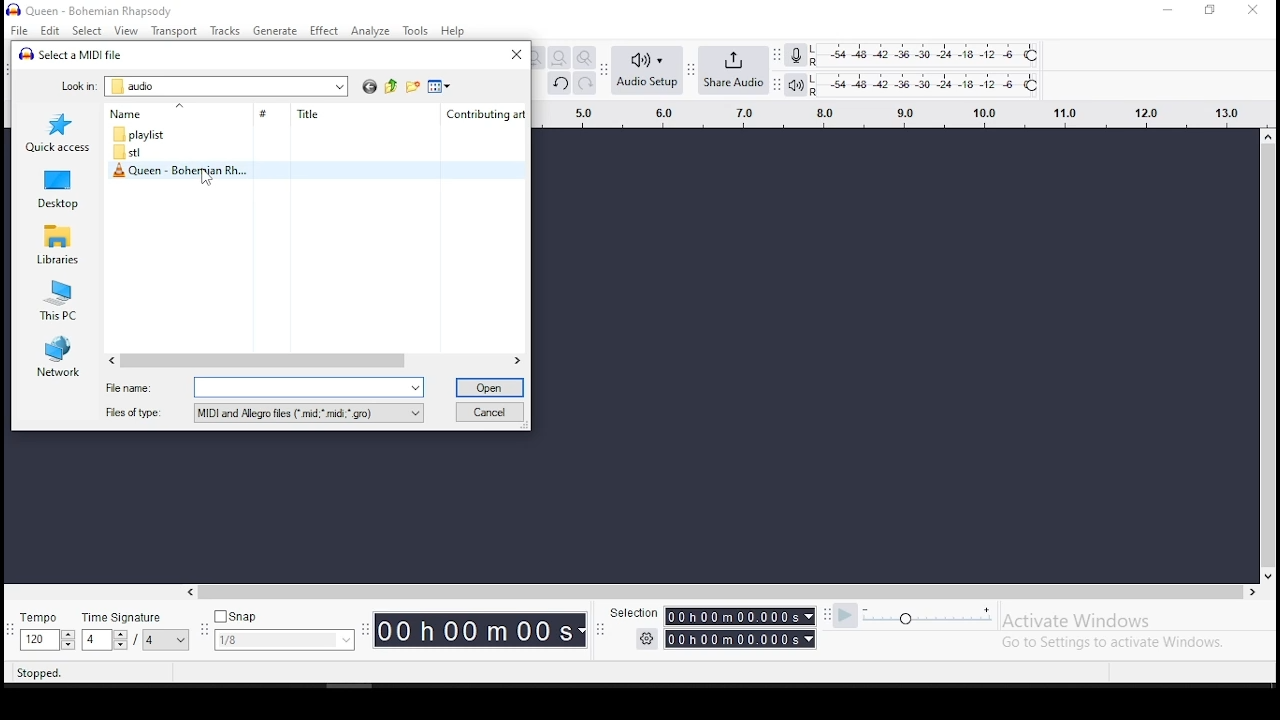 The width and height of the screenshot is (1280, 720). Describe the element at coordinates (451, 31) in the screenshot. I see `help` at that location.